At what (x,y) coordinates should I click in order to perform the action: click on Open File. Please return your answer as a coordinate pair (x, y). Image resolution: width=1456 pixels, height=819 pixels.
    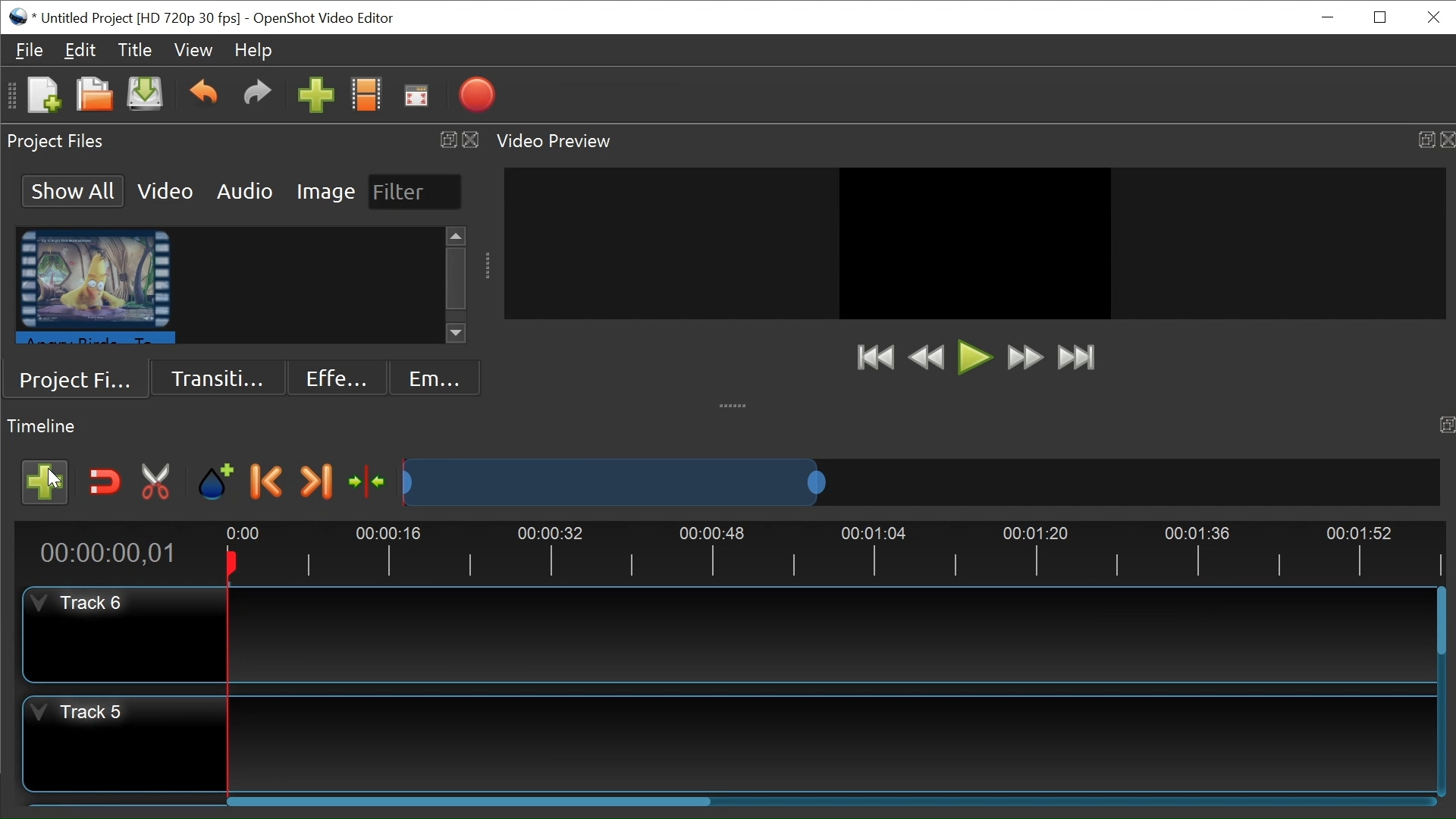
    Looking at the image, I should click on (93, 96).